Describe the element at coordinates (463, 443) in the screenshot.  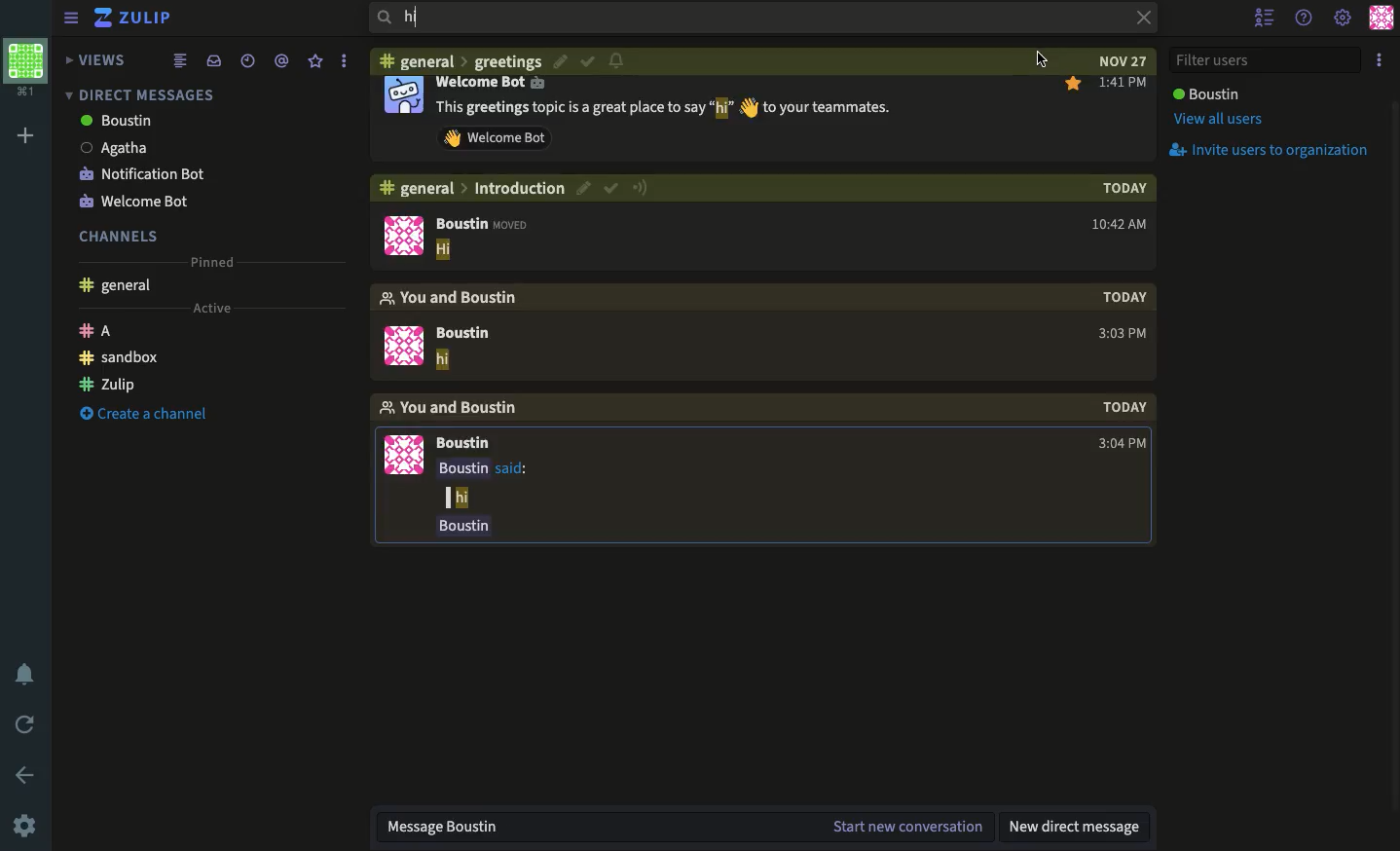
I see `Boustin` at that location.